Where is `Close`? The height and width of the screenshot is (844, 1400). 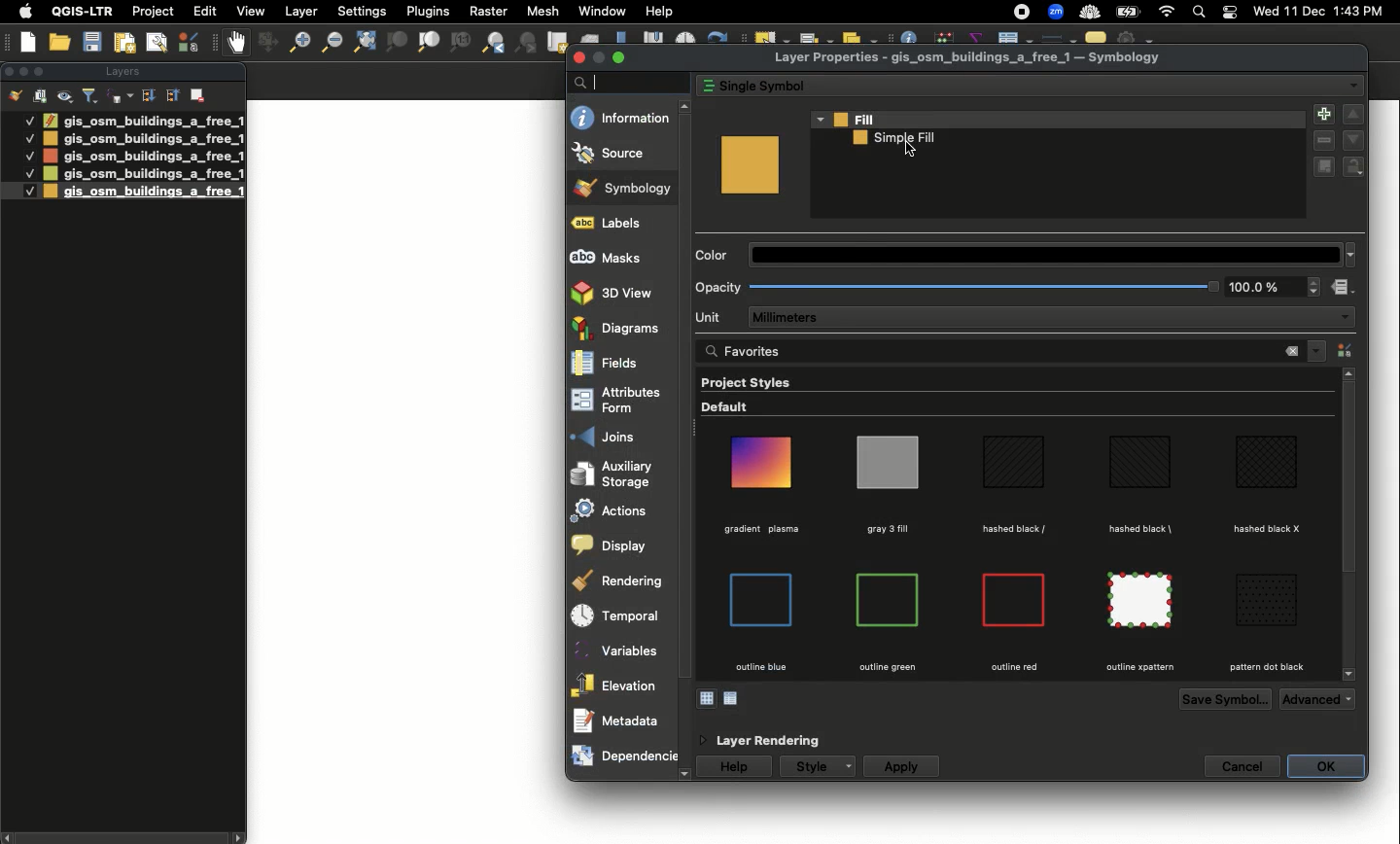
Close is located at coordinates (1291, 351).